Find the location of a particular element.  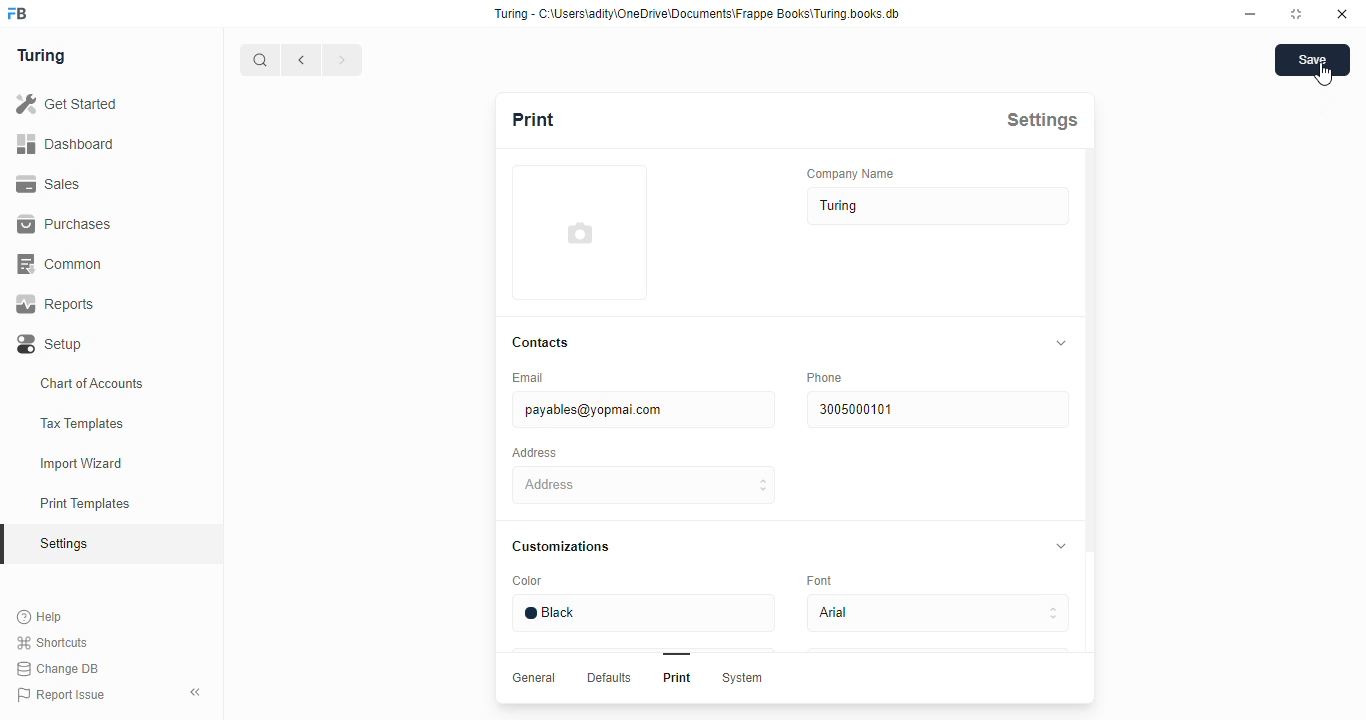

Adal is located at coordinates (941, 613).